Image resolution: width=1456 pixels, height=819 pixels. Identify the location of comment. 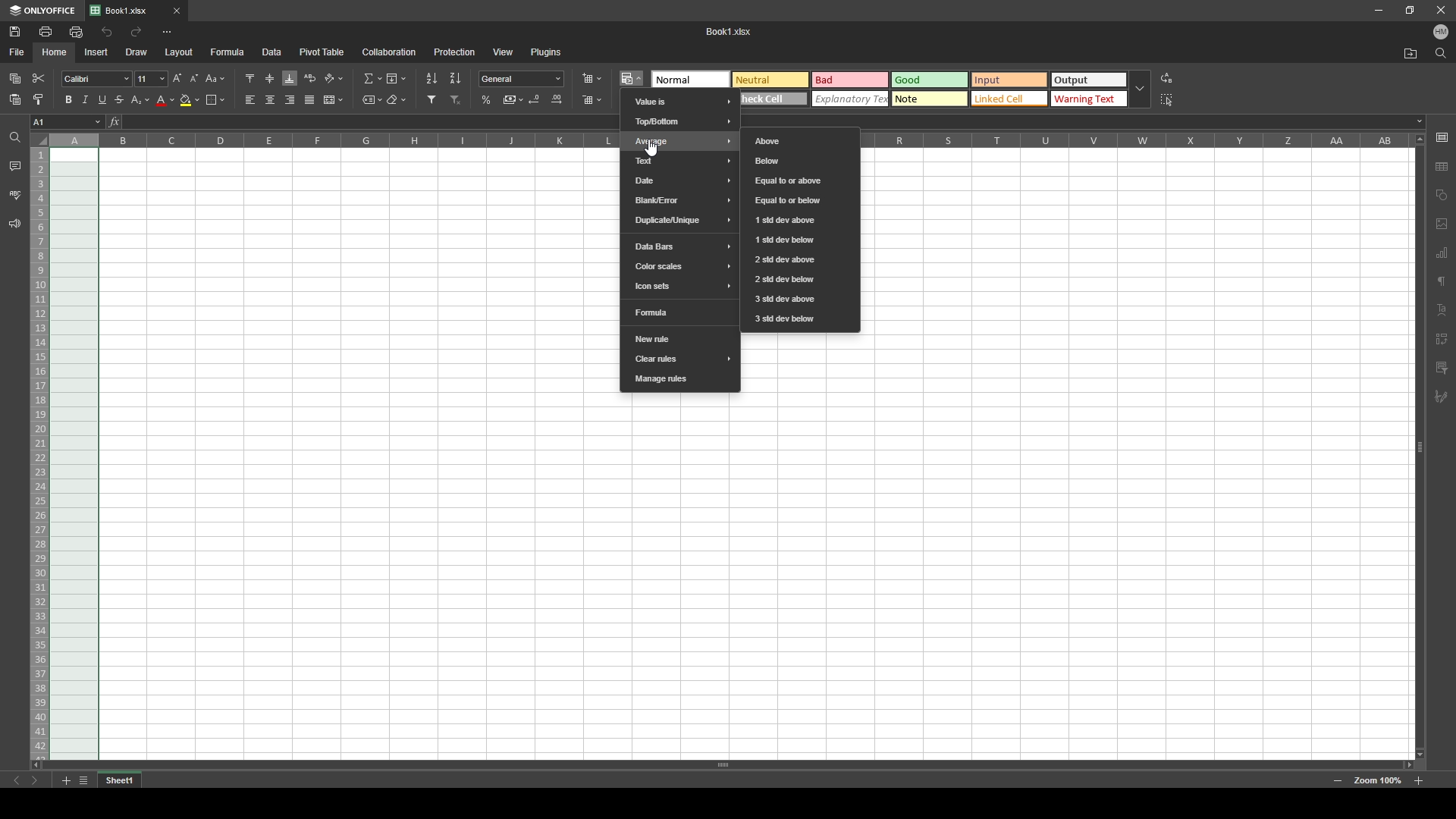
(14, 165).